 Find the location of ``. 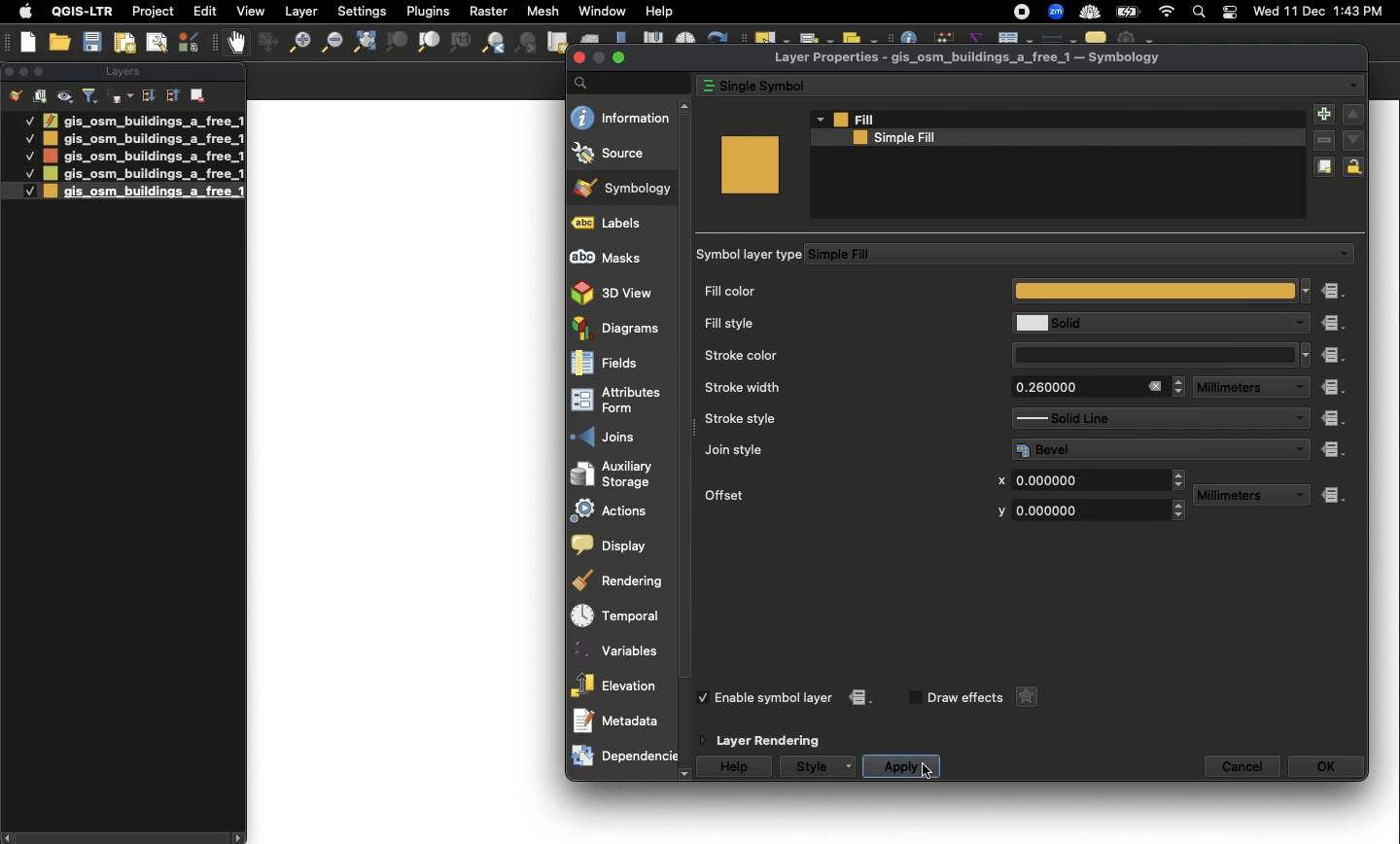

 is located at coordinates (1334, 355).